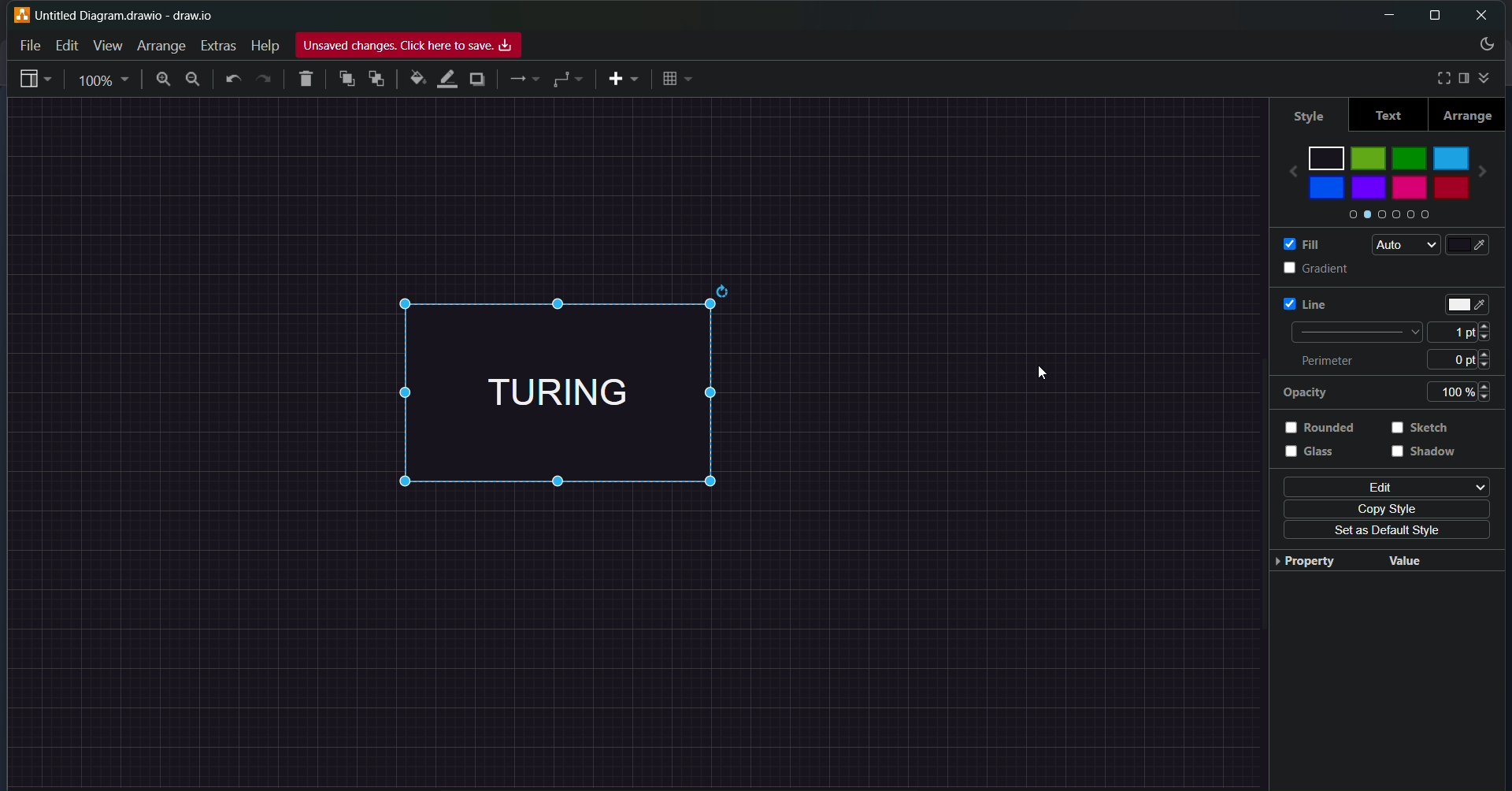 Image resolution: width=1512 pixels, height=791 pixels. What do you see at coordinates (35, 81) in the screenshot?
I see `sidebar` at bounding box center [35, 81].